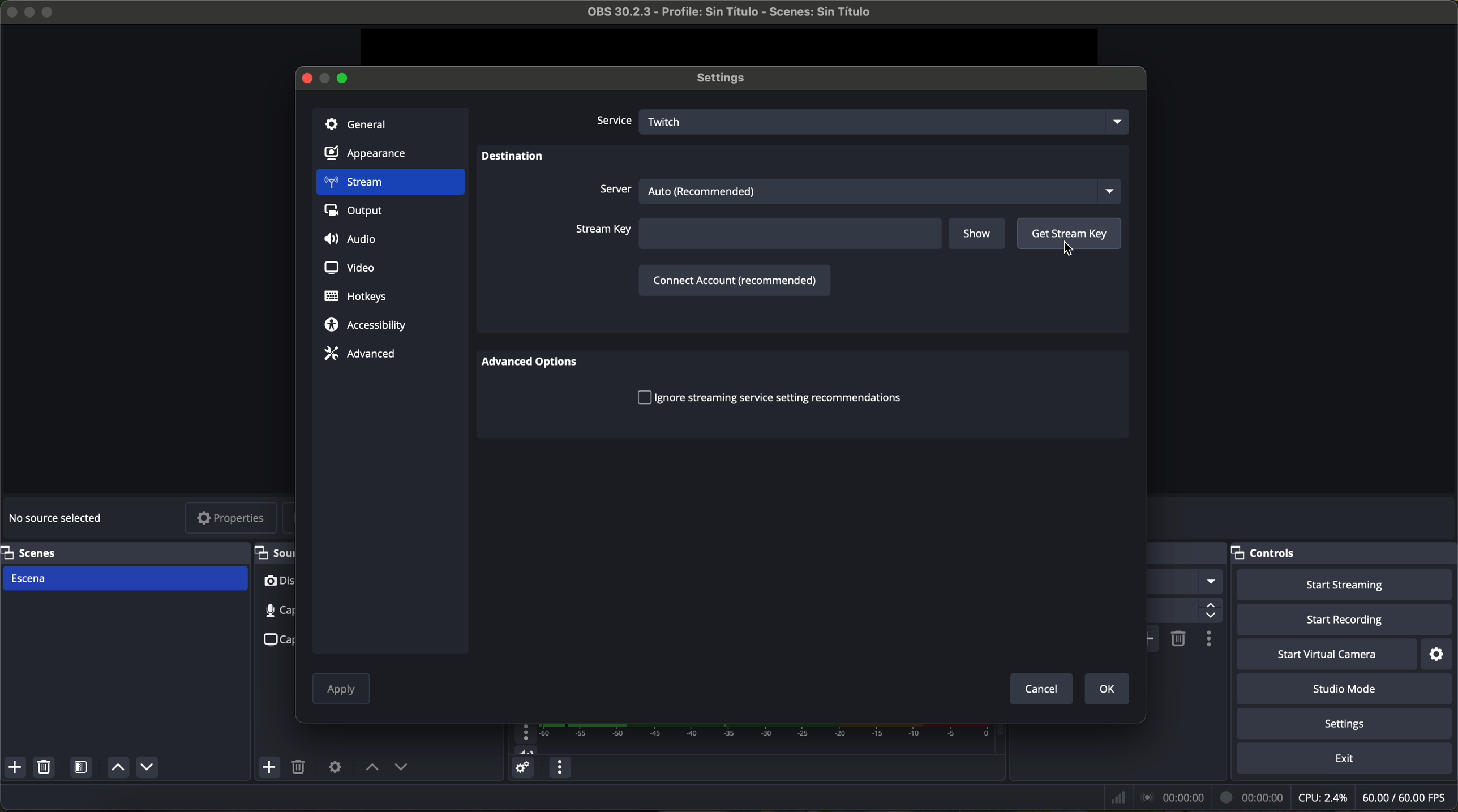 The image size is (1458, 812). Describe the element at coordinates (116, 768) in the screenshot. I see `move source up` at that location.